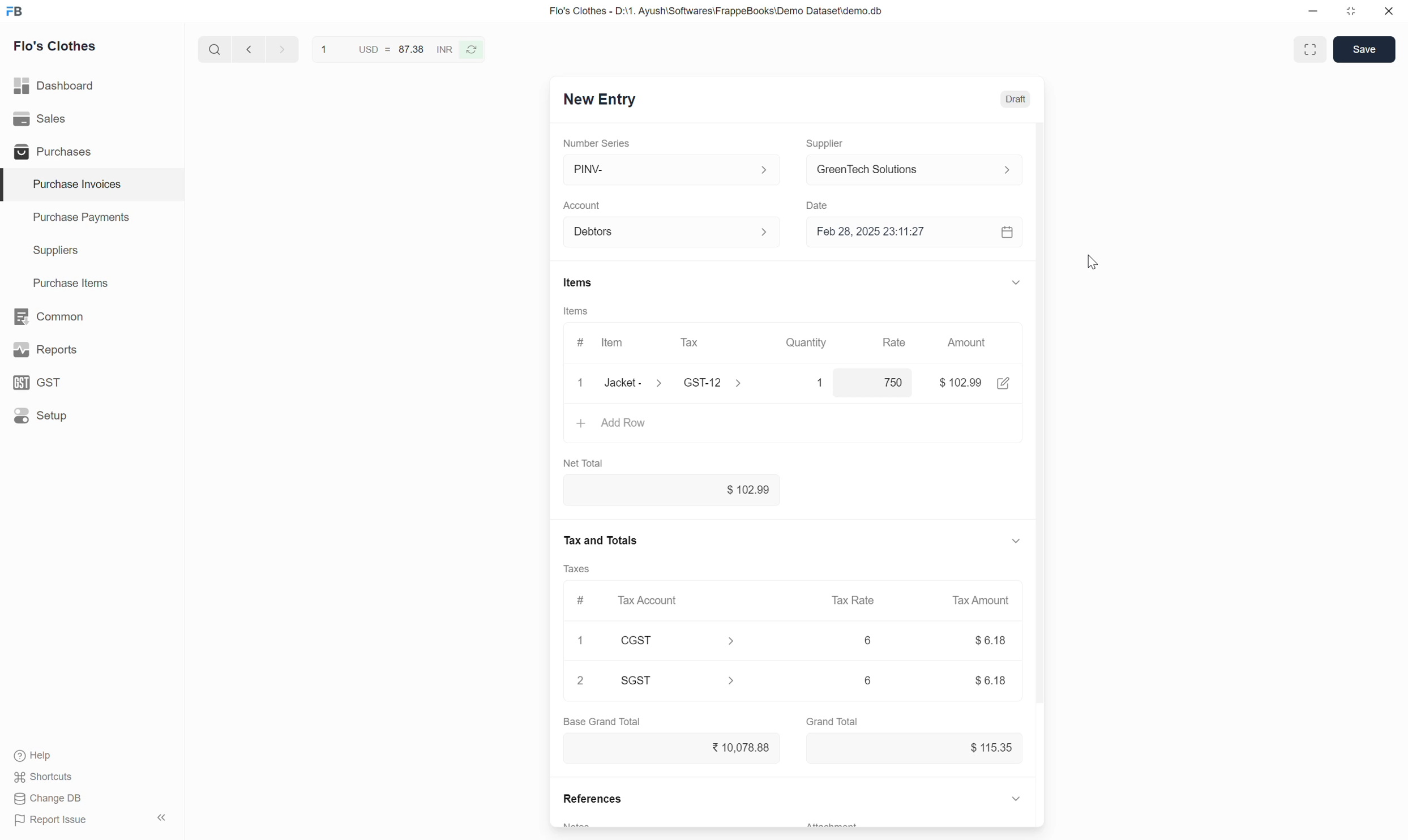 Image resolution: width=1408 pixels, height=840 pixels. Describe the element at coordinates (677, 600) in the screenshot. I see `Tax Account` at that location.